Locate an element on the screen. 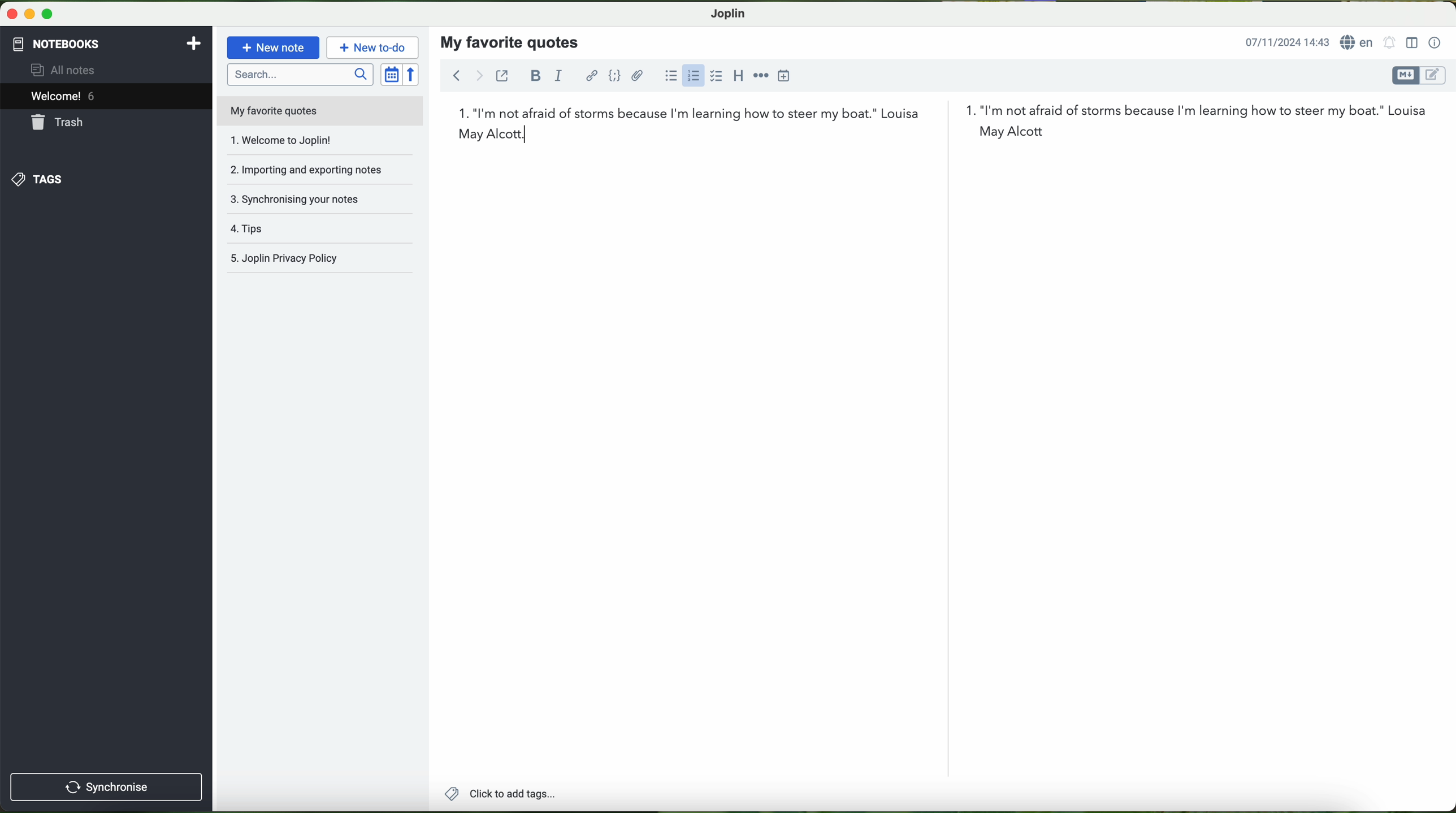  attach files is located at coordinates (639, 78).